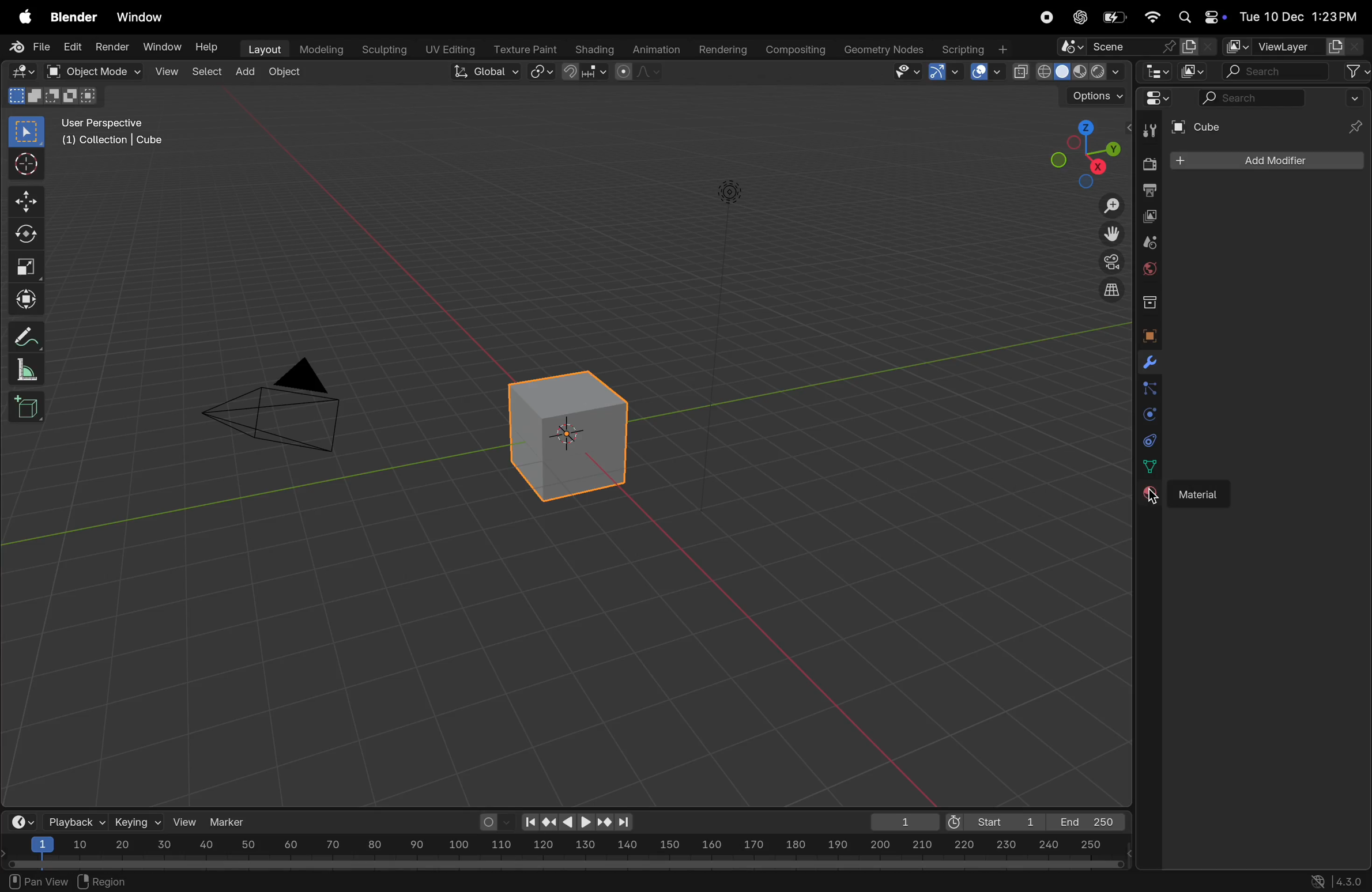  What do you see at coordinates (586, 72) in the screenshot?
I see `transform point` at bounding box center [586, 72].